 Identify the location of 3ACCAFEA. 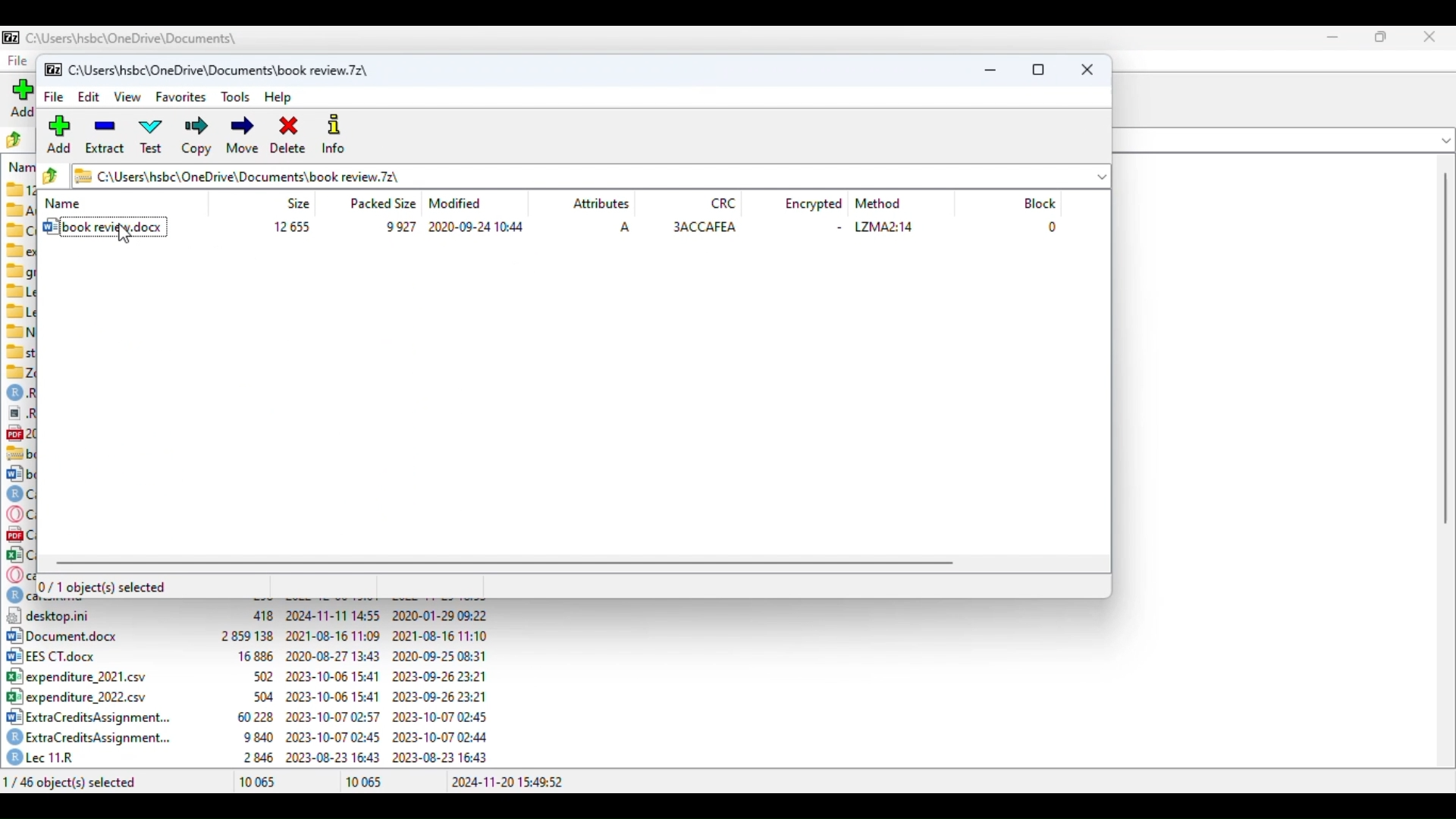
(704, 227).